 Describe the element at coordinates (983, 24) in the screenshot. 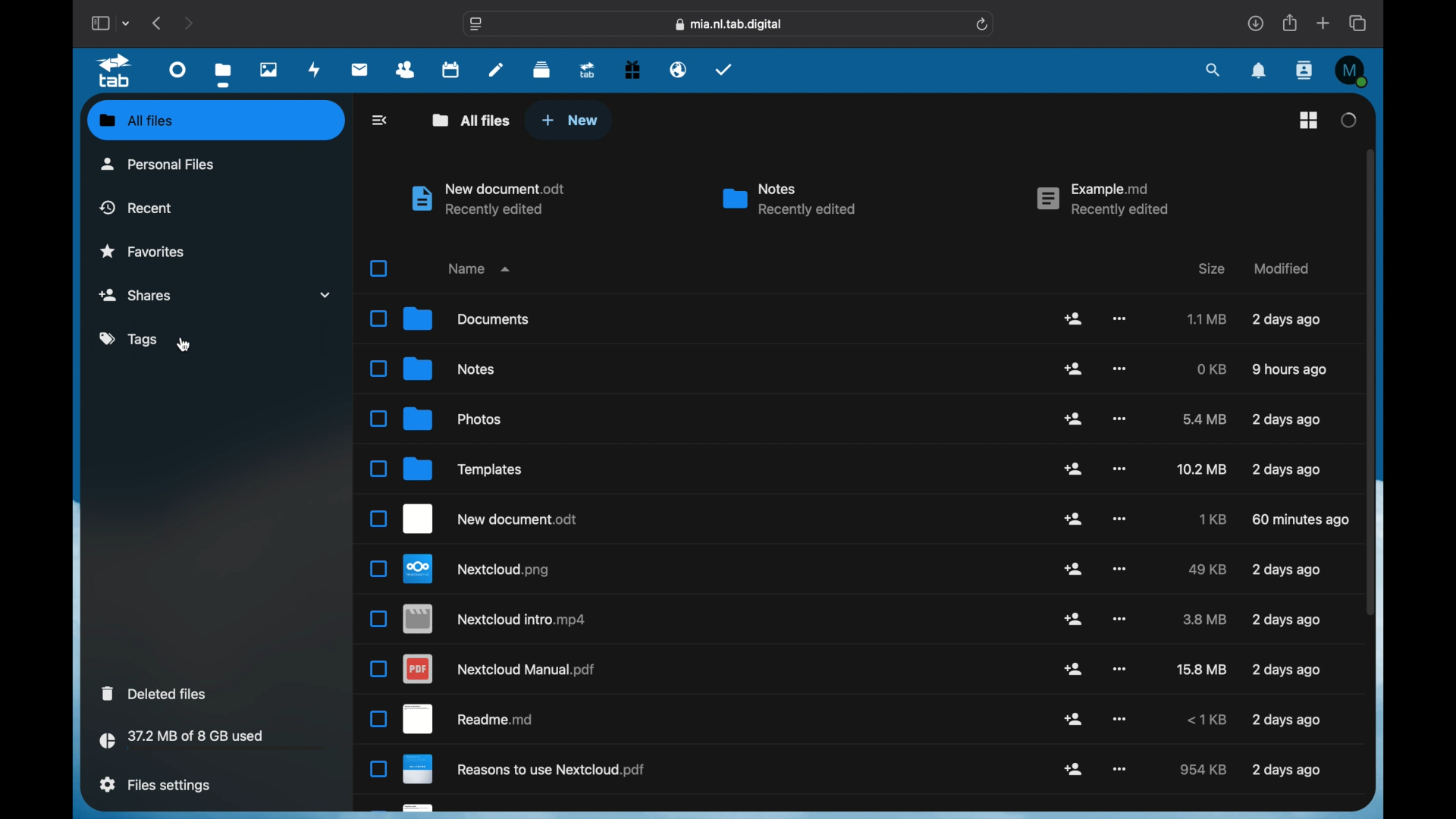

I see `refresh` at that location.